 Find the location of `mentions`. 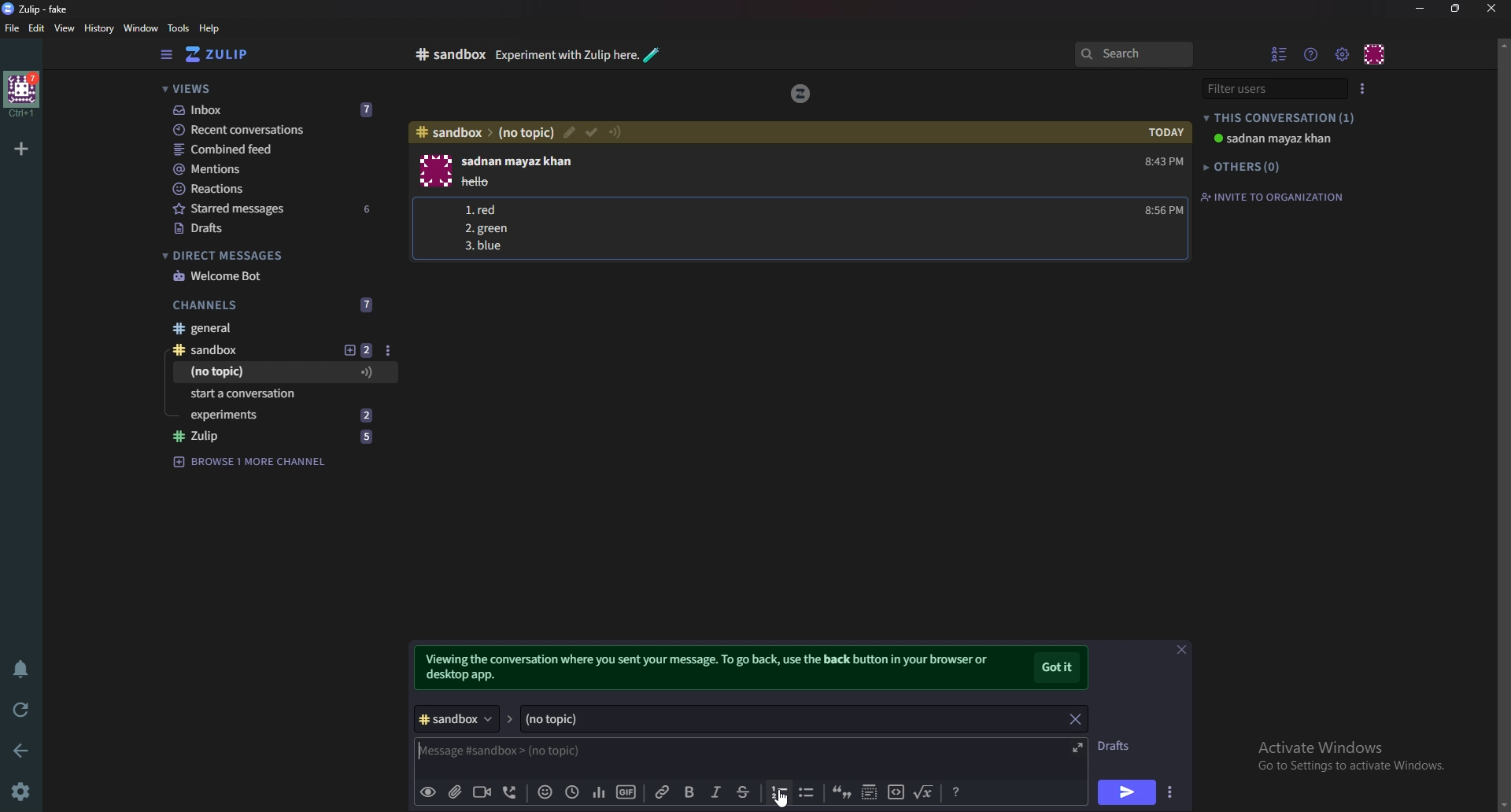

mentions is located at coordinates (277, 170).